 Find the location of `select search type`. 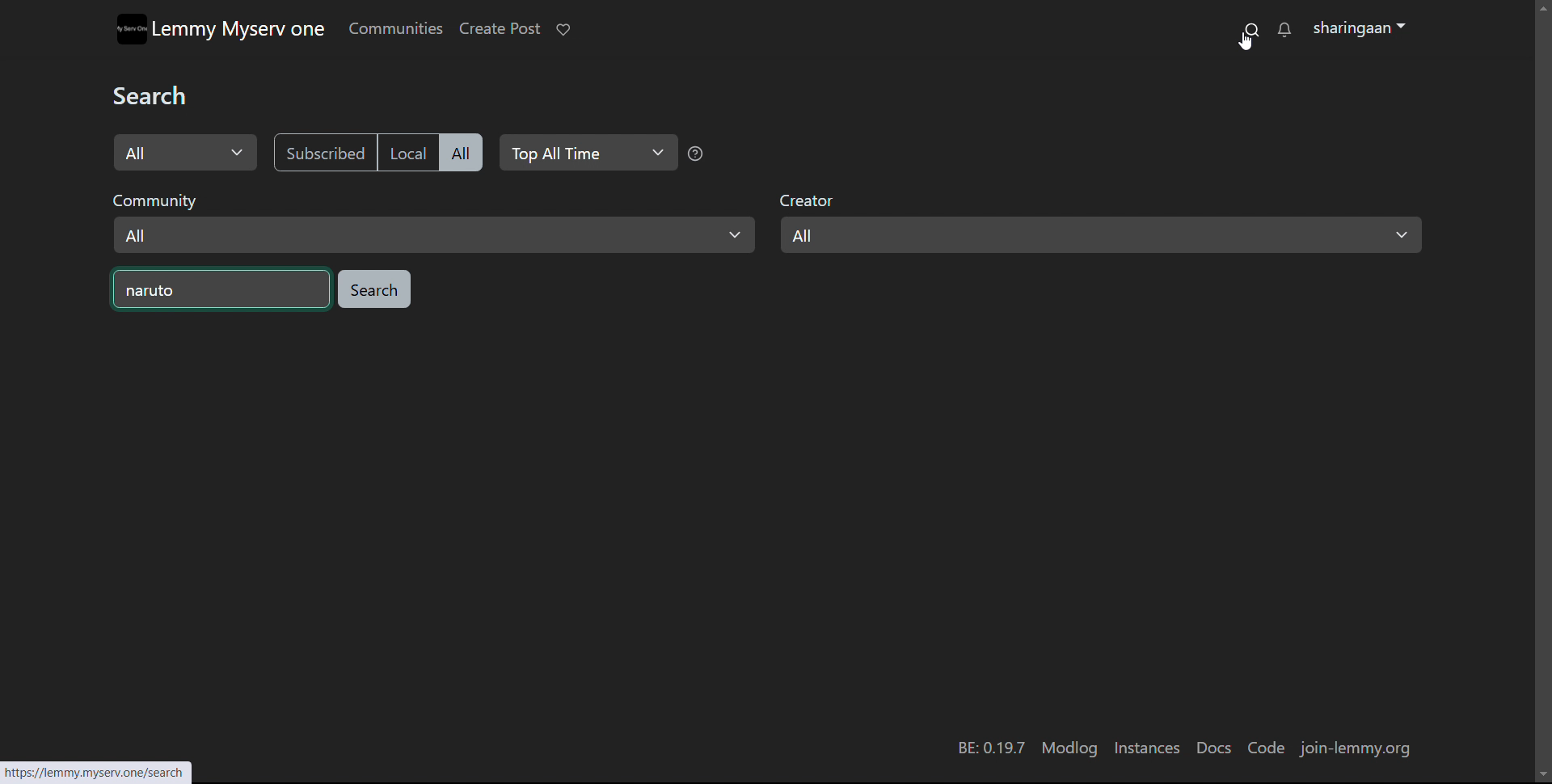

select search type is located at coordinates (186, 152).